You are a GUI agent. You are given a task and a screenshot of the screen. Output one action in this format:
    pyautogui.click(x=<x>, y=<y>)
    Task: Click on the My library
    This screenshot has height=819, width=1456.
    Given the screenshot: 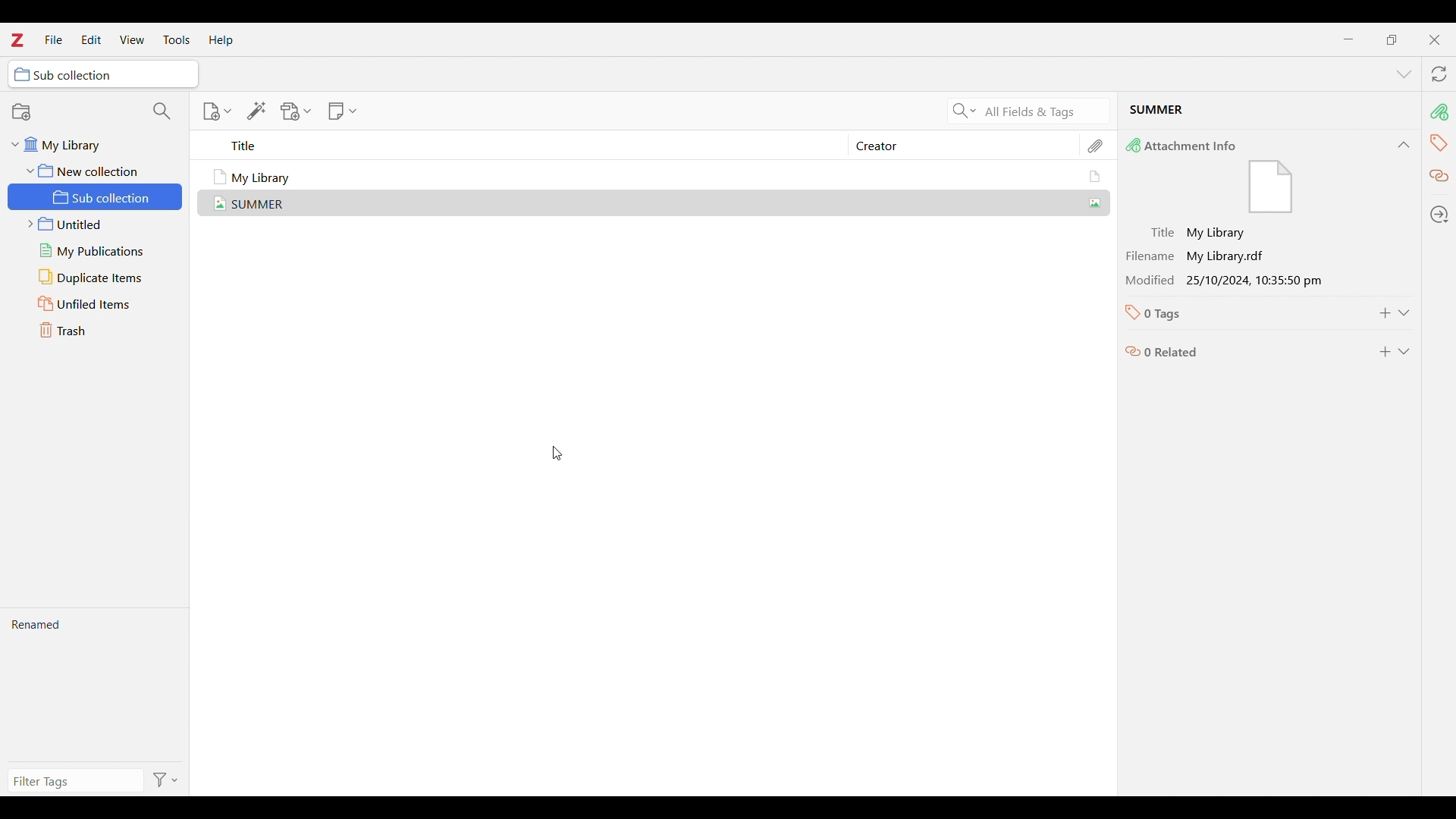 What is the action you would take?
    pyautogui.click(x=87, y=145)
    